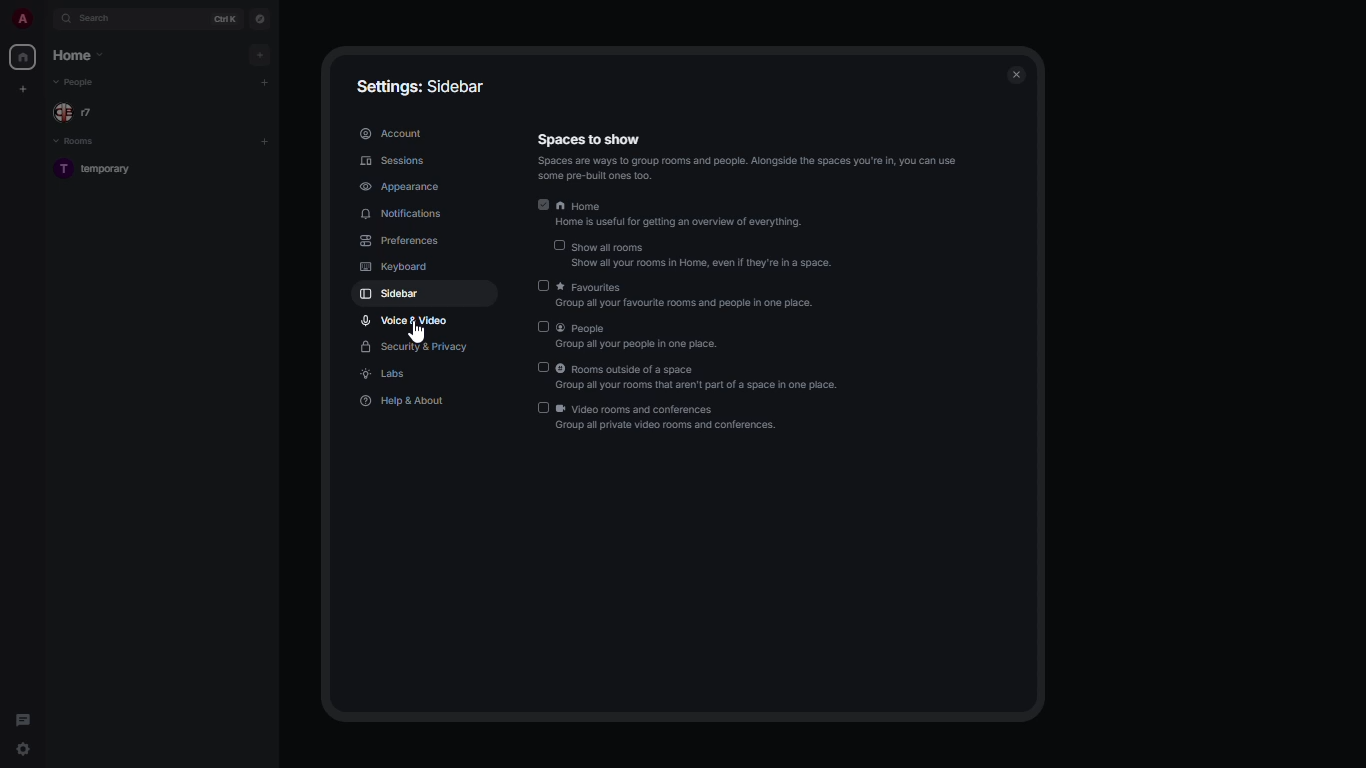  I want to click on video rooms and conferences, so click(672, 419).